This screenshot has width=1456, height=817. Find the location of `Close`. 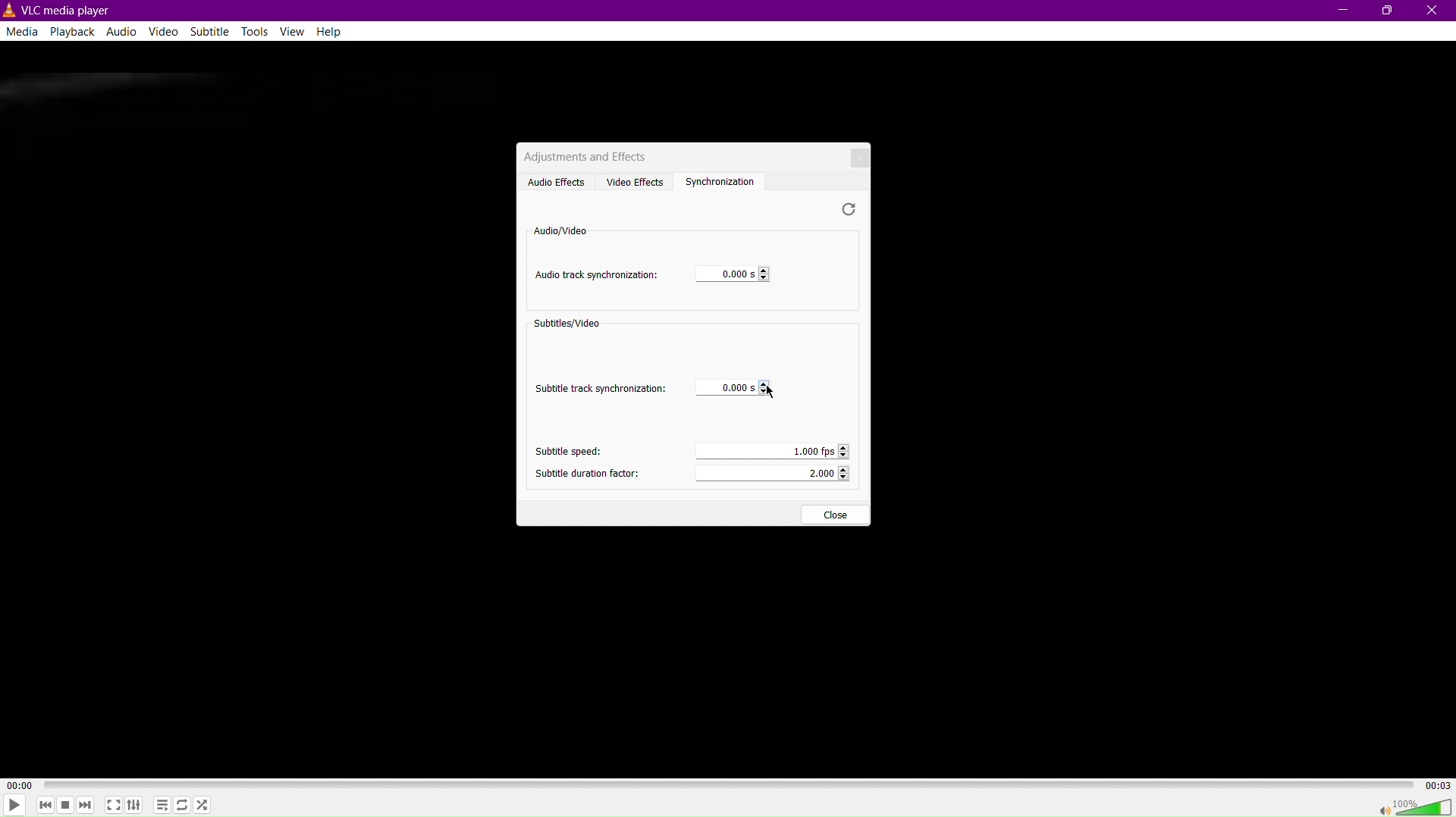

Close is located at coordinates (852, 154).